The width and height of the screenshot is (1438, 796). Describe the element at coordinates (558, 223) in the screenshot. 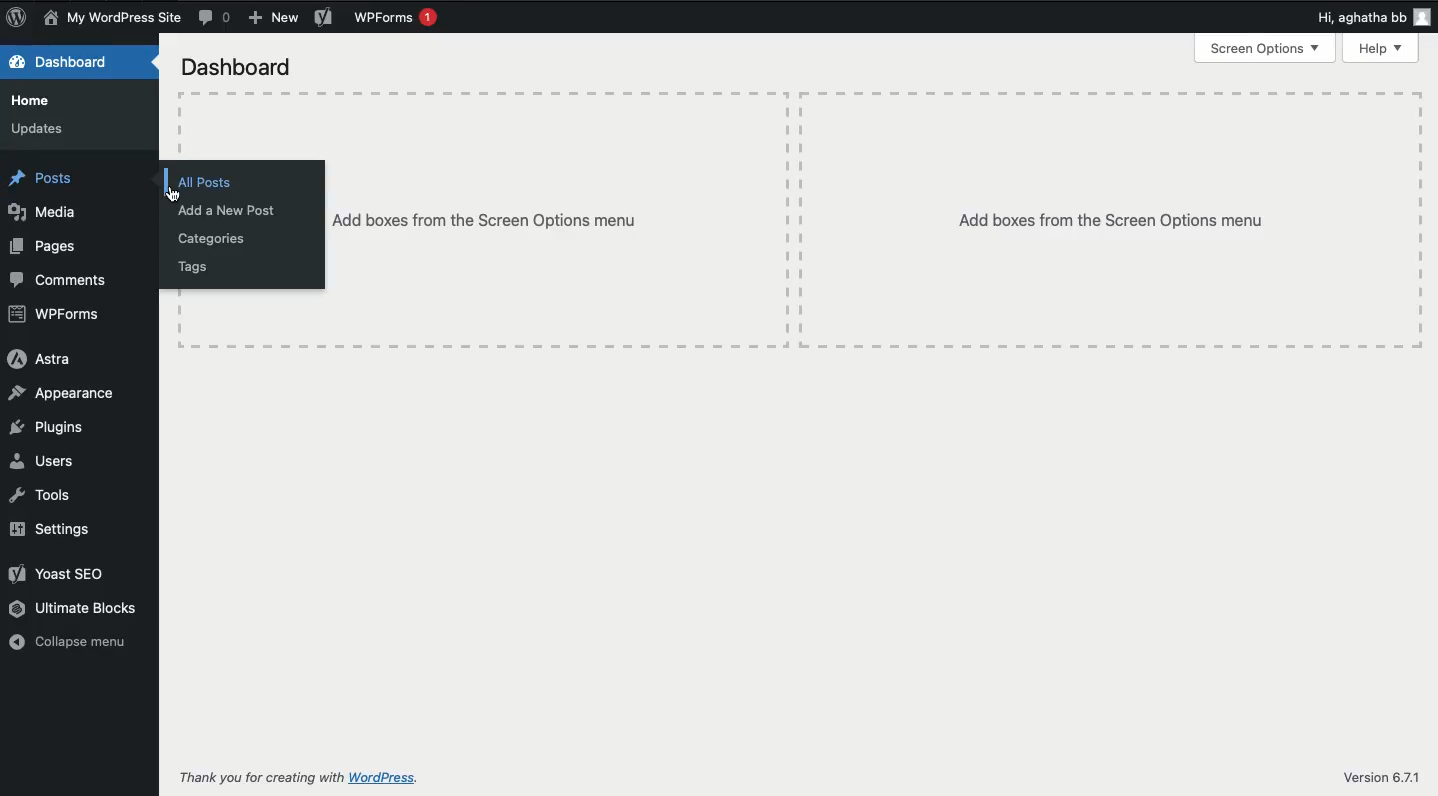

I see `` at that location.